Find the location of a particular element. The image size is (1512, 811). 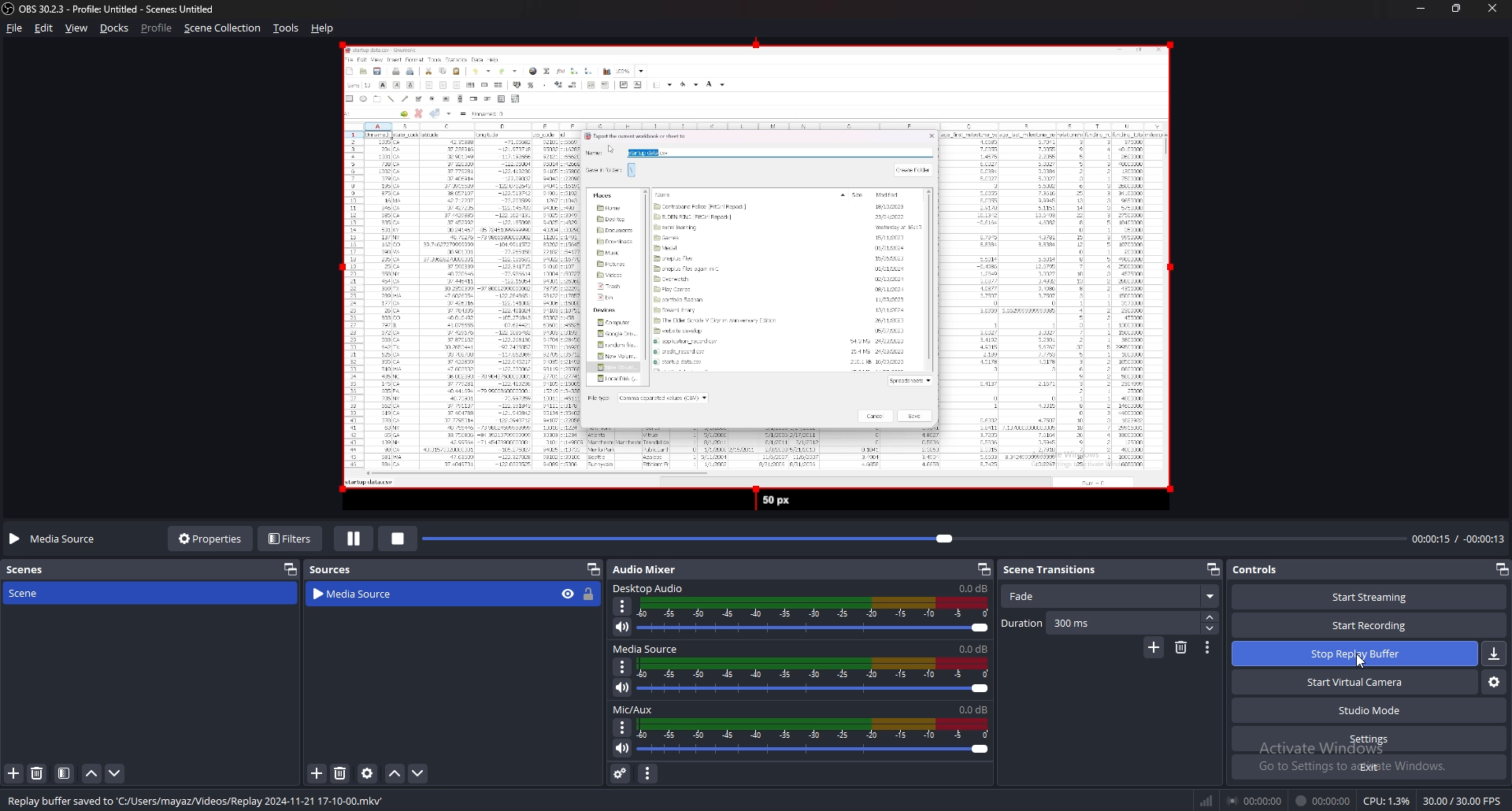

pause is located at coordinates (353, 540).